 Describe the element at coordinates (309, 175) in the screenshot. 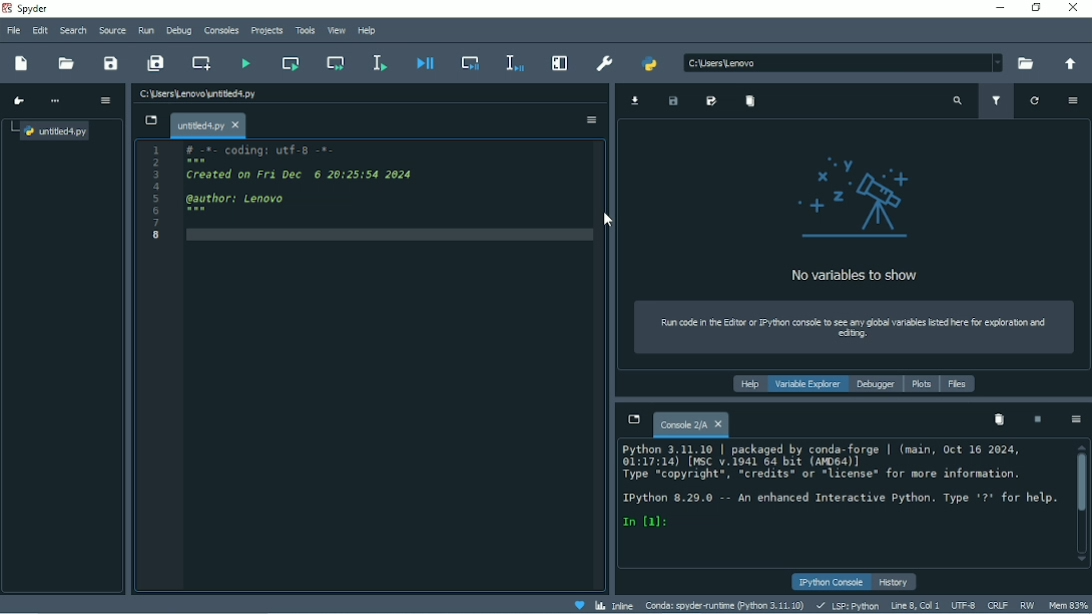

I see `Created on date and time` at that location.